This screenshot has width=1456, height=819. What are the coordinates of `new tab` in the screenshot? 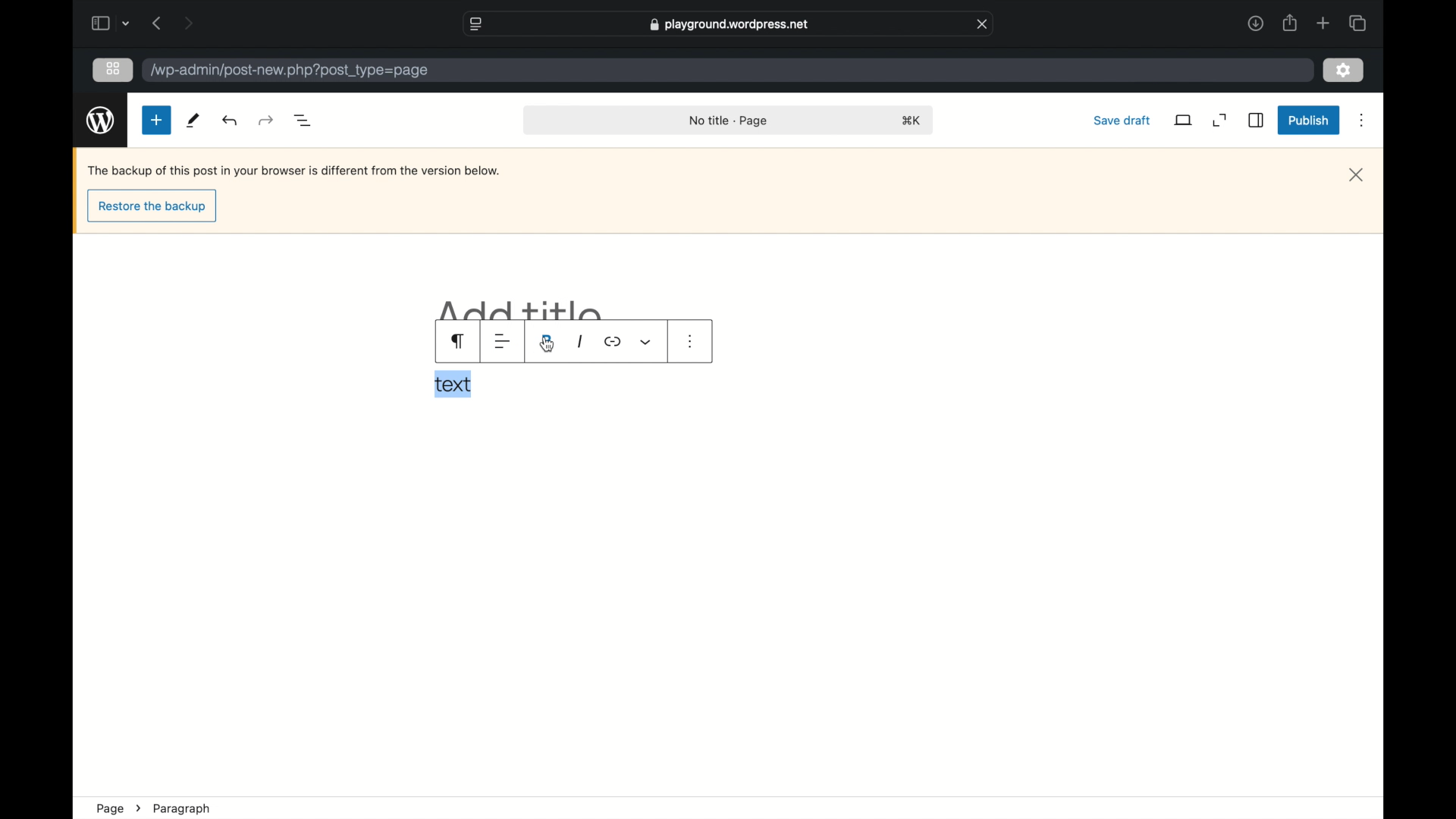 It's located at (1324, 23).